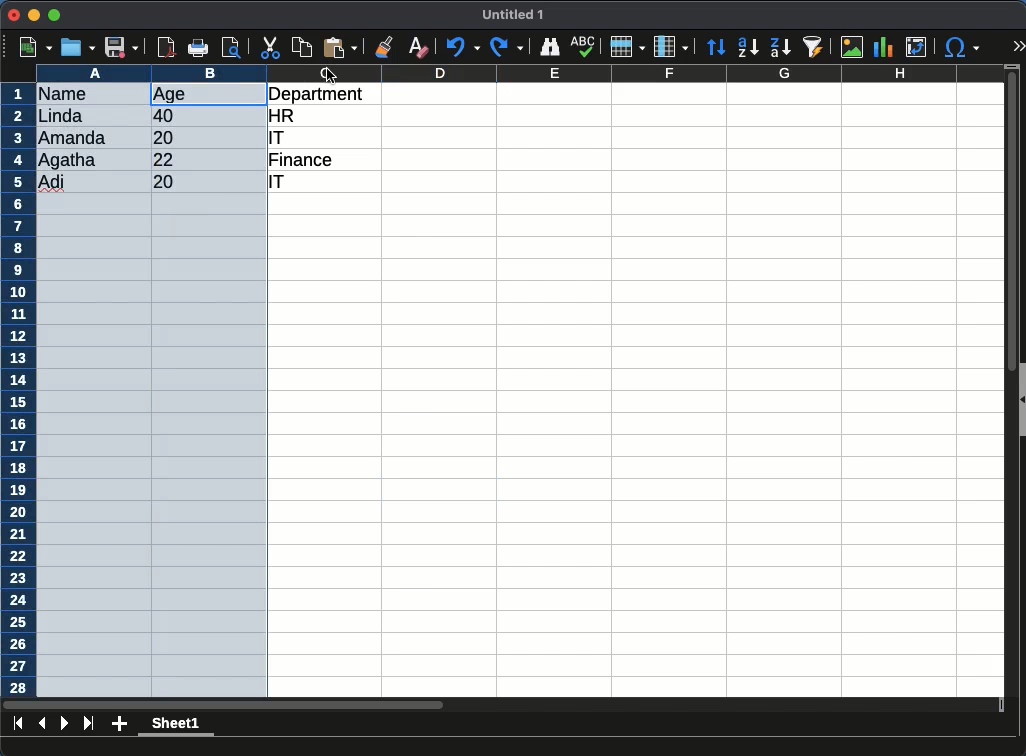 The width and height of the screenshot is (1026, 756). I want to click on pivot table, so click(916, 48).